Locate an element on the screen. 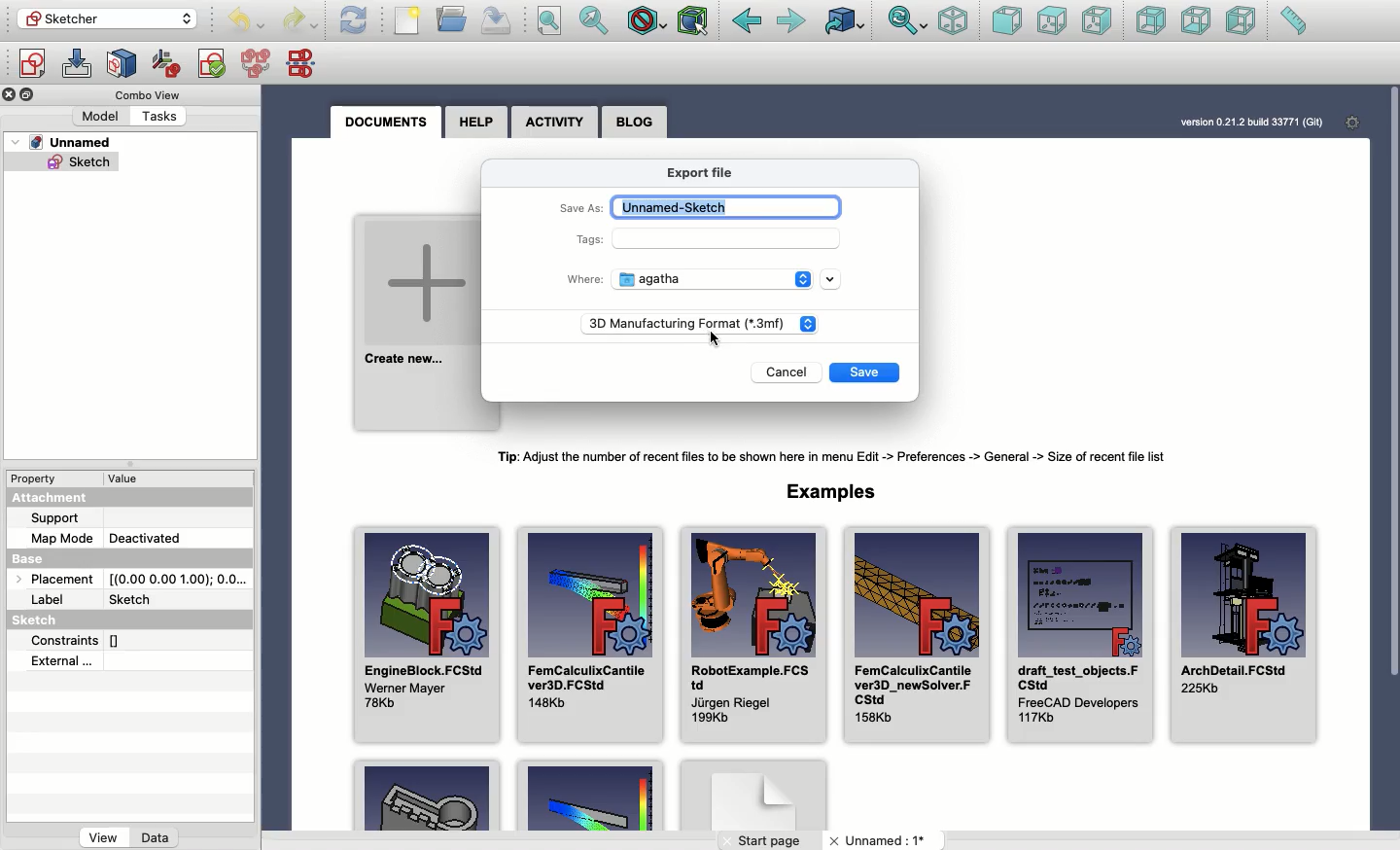 The image size is (1400, 850). Map sketch to face is located at coordinates (125, 63).